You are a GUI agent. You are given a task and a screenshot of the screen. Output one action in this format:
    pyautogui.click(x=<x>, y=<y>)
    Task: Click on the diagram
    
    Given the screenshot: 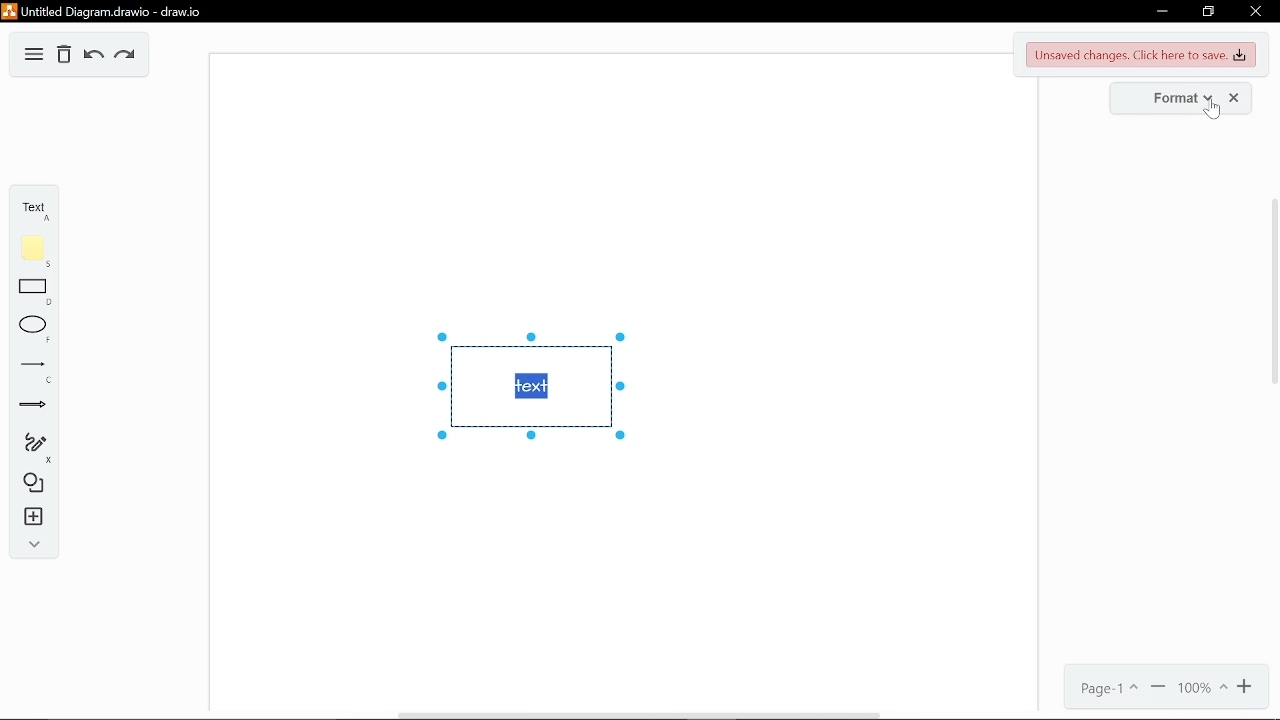 What is the action you would take?
    pyautogui.click(x=34, y=54)
    